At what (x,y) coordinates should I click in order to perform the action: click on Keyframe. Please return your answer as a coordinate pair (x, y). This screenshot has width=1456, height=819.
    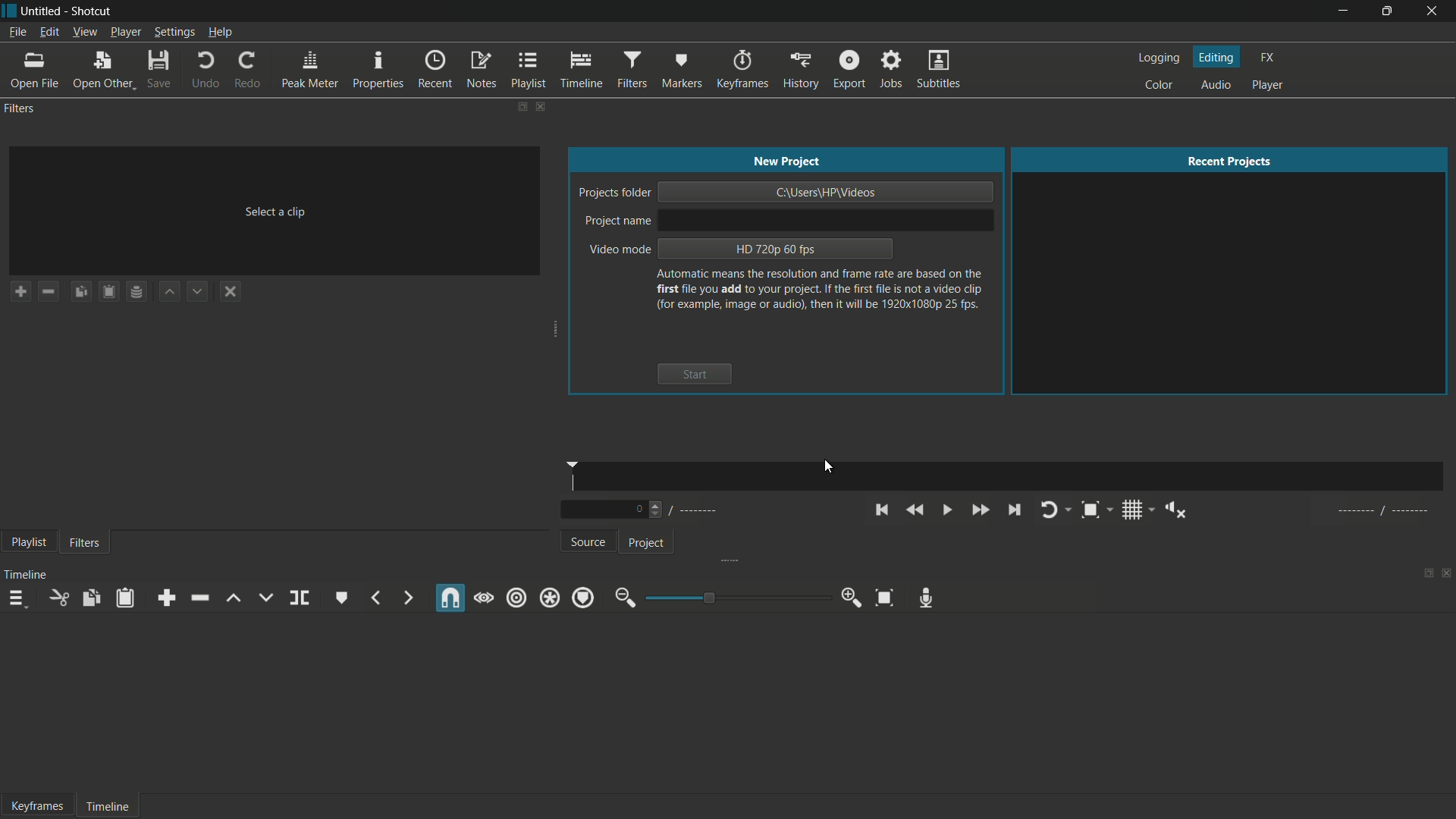
    Looking at the image, I should click on (33, 805).